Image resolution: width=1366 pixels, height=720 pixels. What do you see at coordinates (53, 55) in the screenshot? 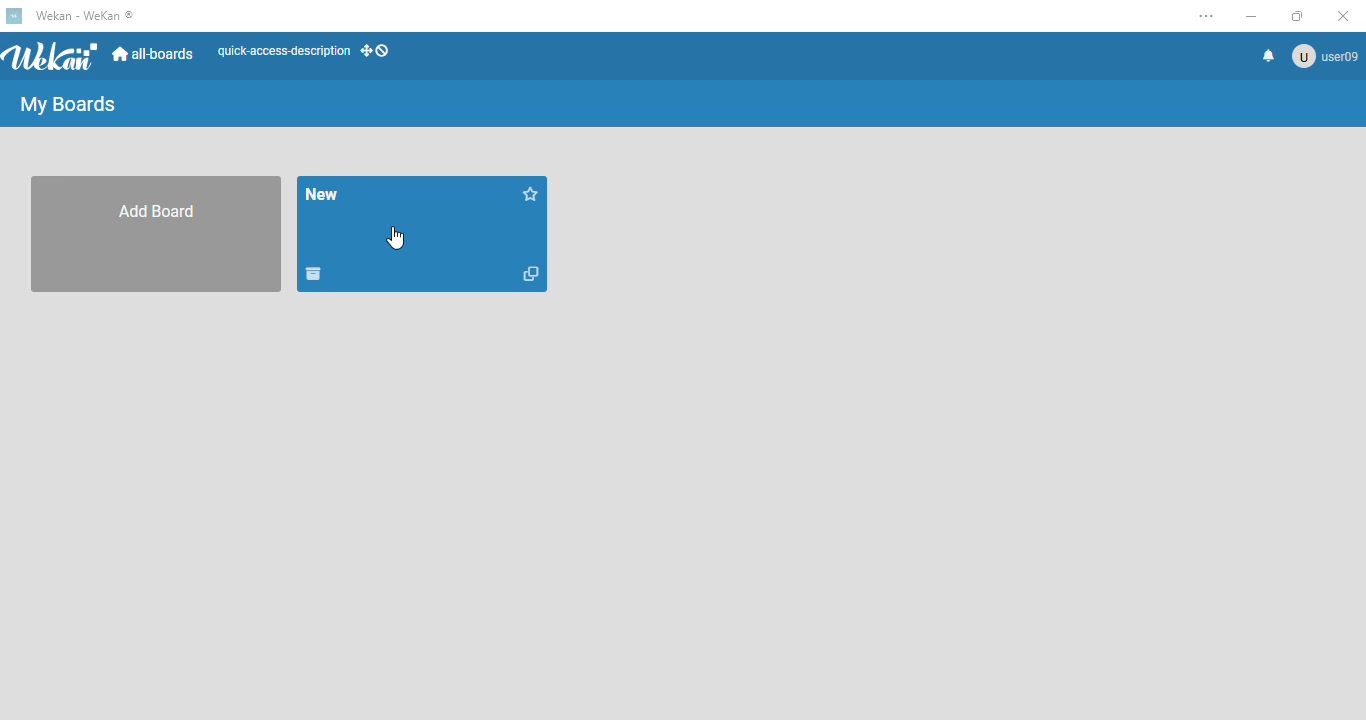
I see `wekan` at bounding box center [53, 55].